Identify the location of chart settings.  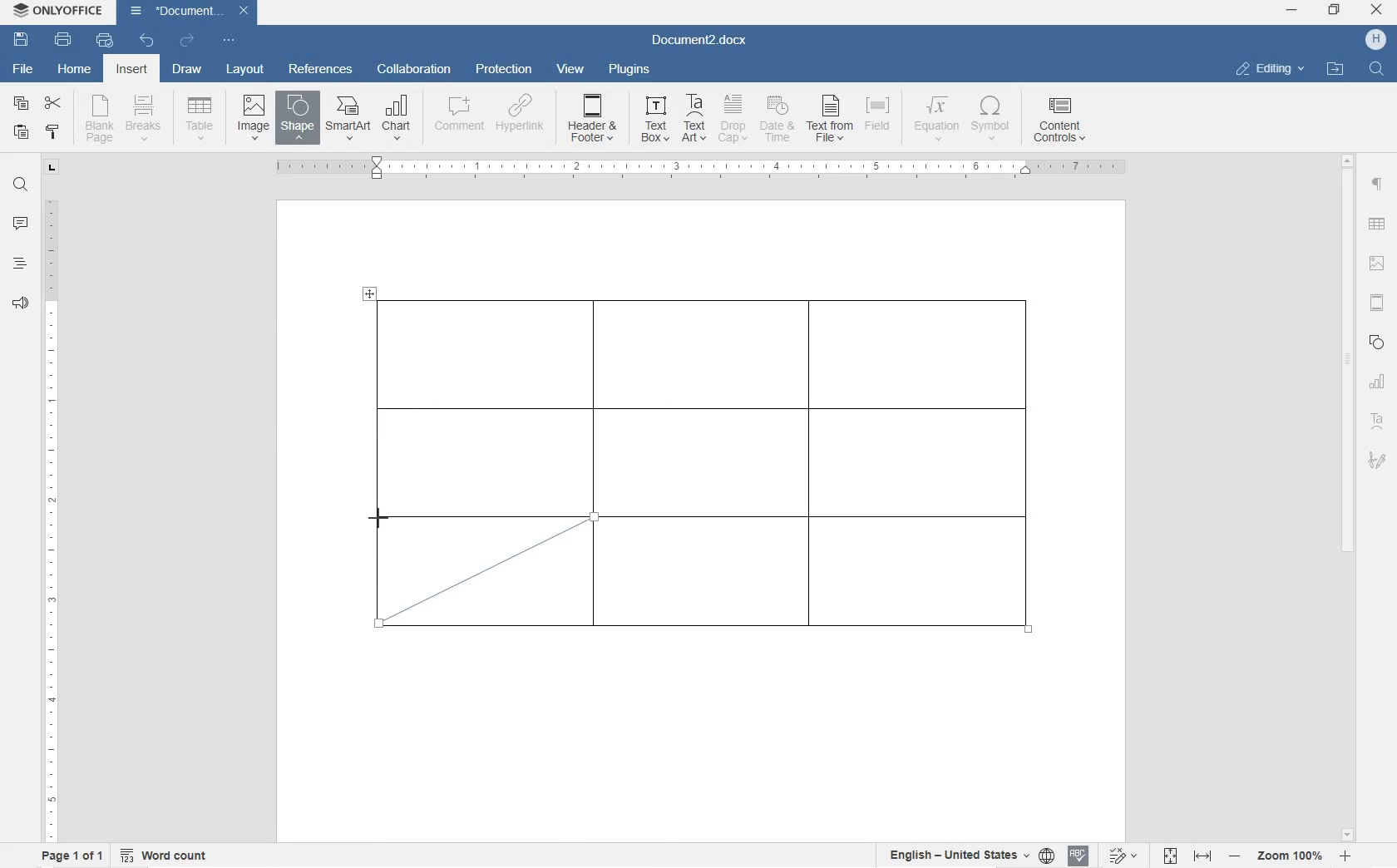
(1380, 382).